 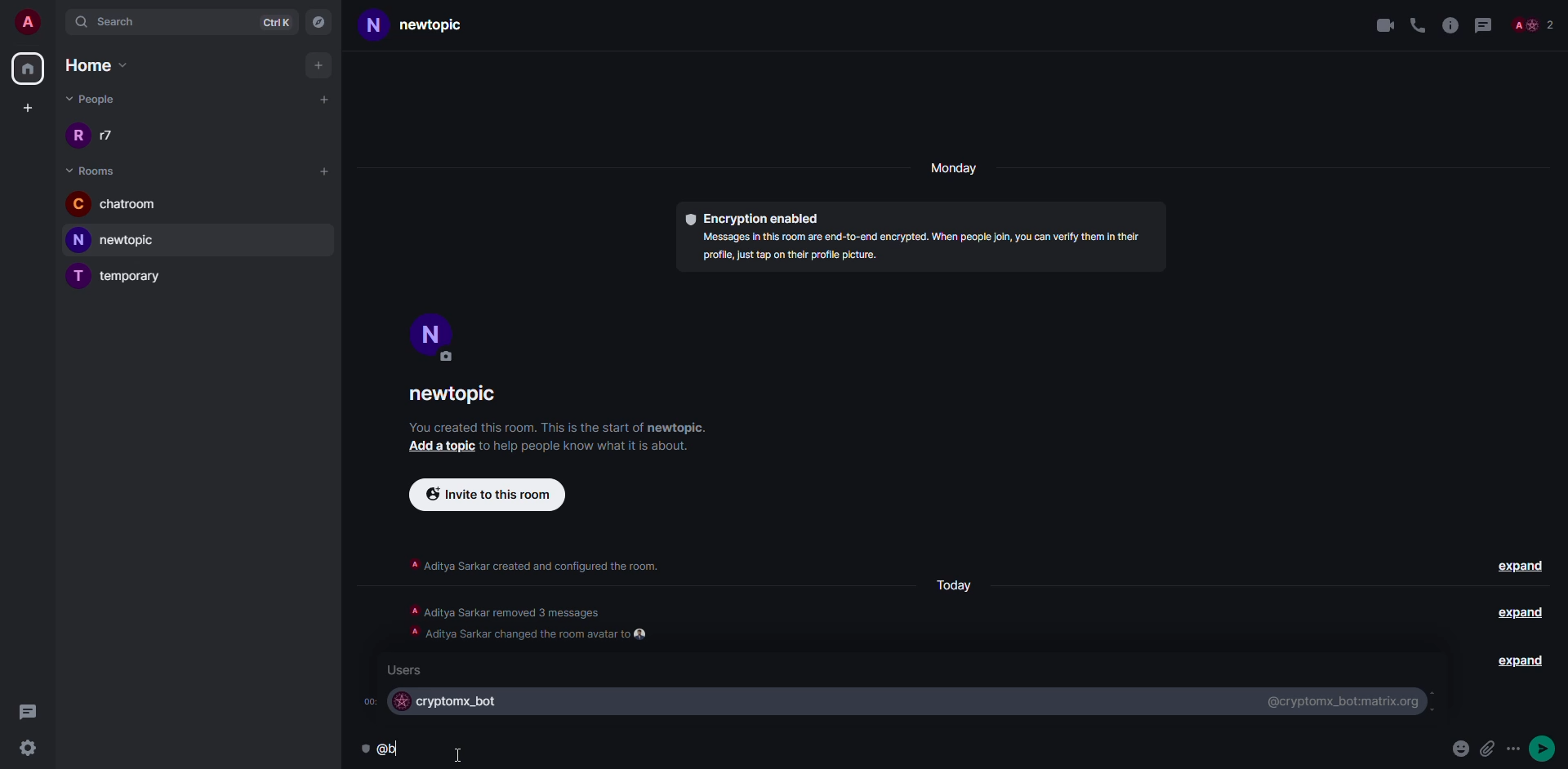 I want to click on emoji, so click(x=1459, y=749).